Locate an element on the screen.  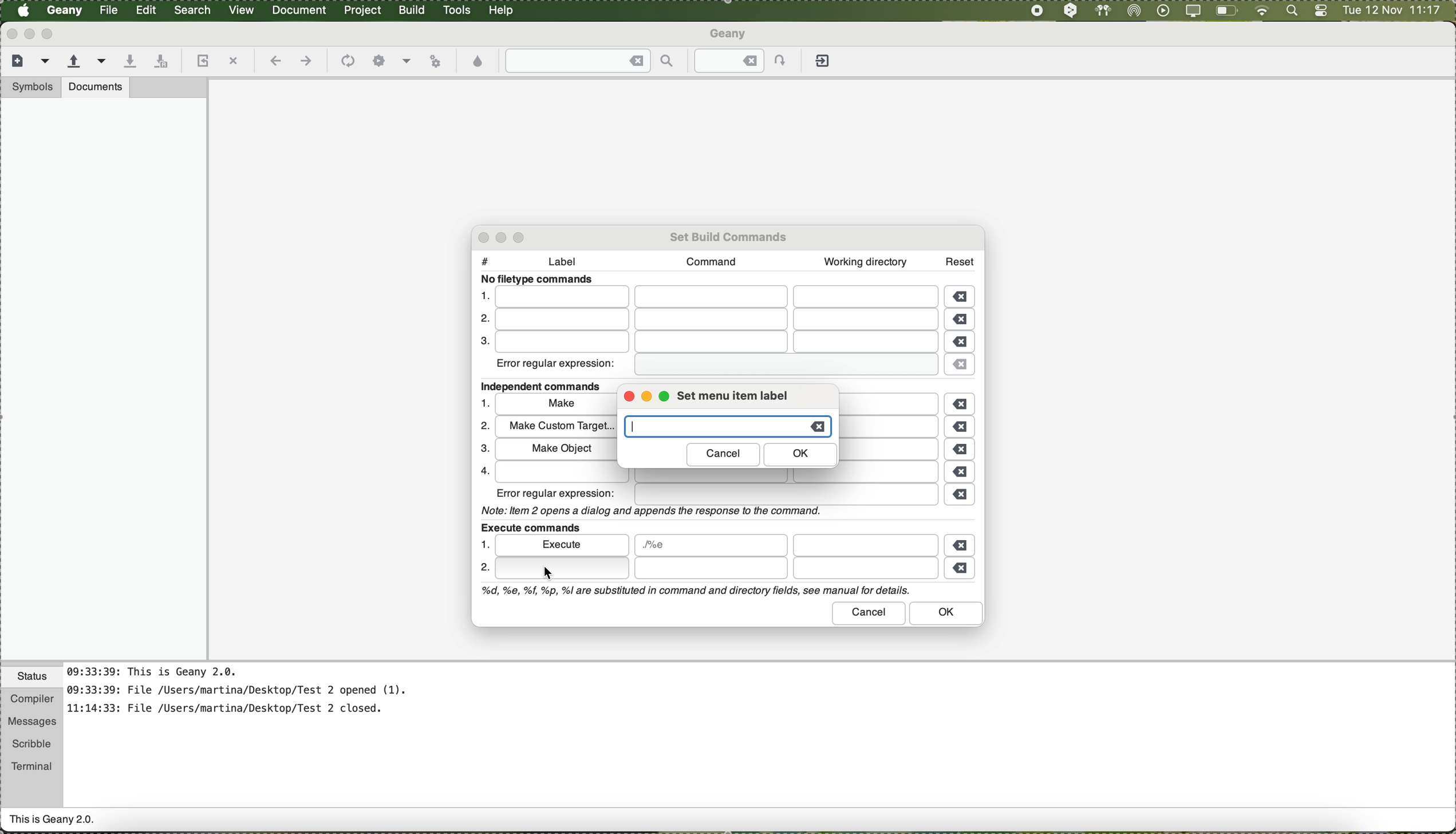
icon is located at coordinates (379, 61).